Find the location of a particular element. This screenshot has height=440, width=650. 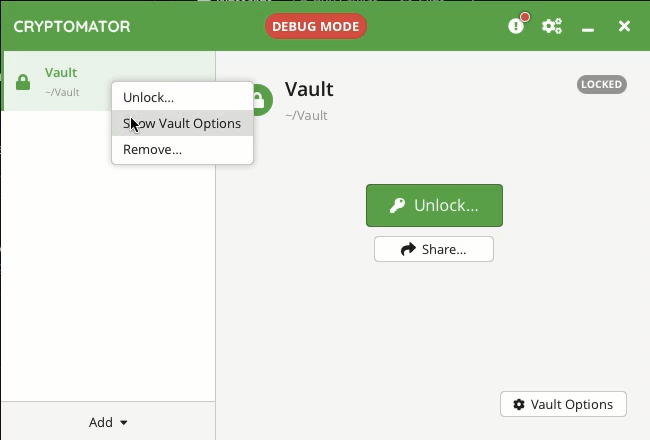

more info is located at coordinates (520, 23).